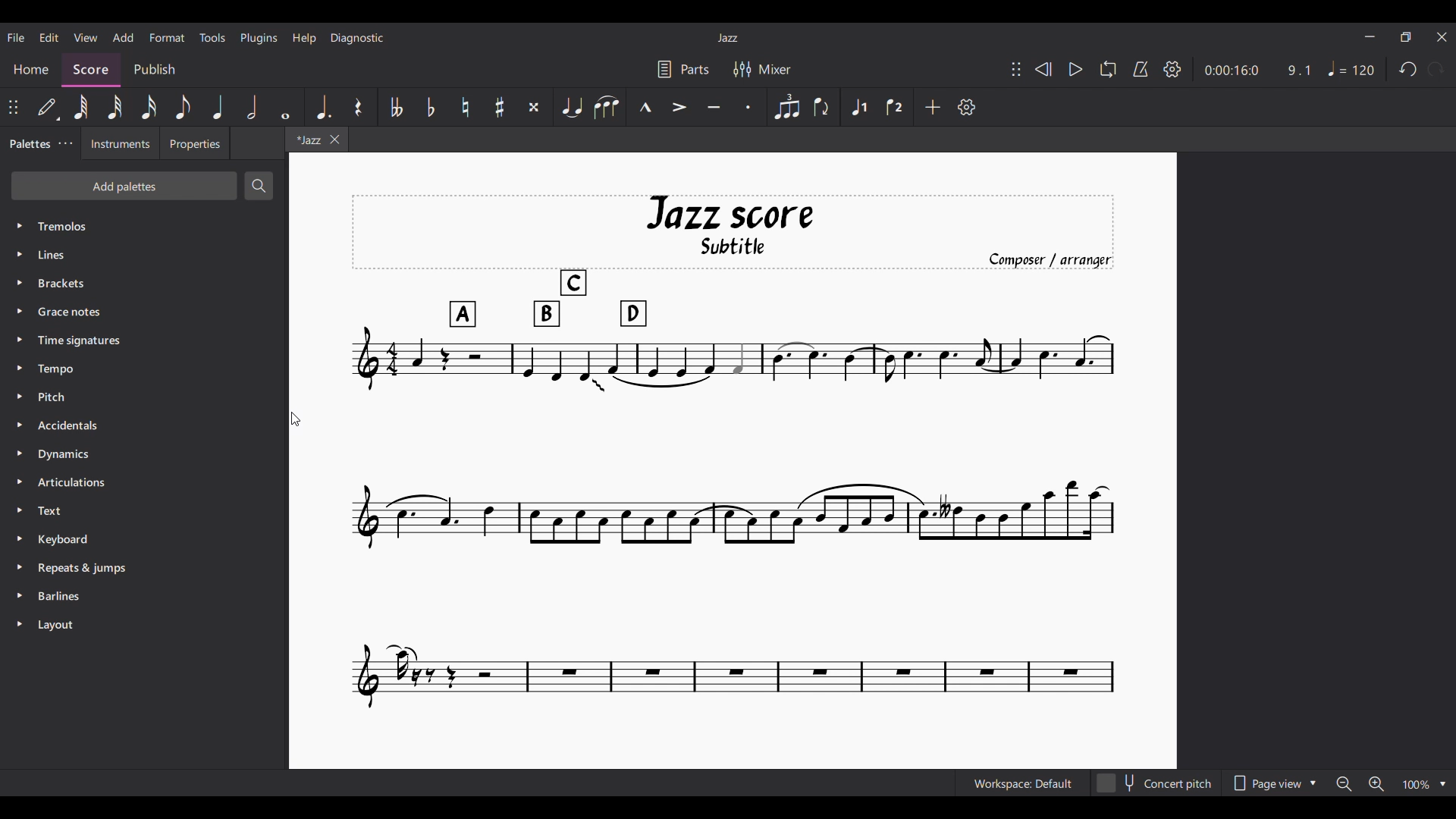  Describe the element at coordinates (218, 108) in the screenshot. I see `Quarter note` at that location.